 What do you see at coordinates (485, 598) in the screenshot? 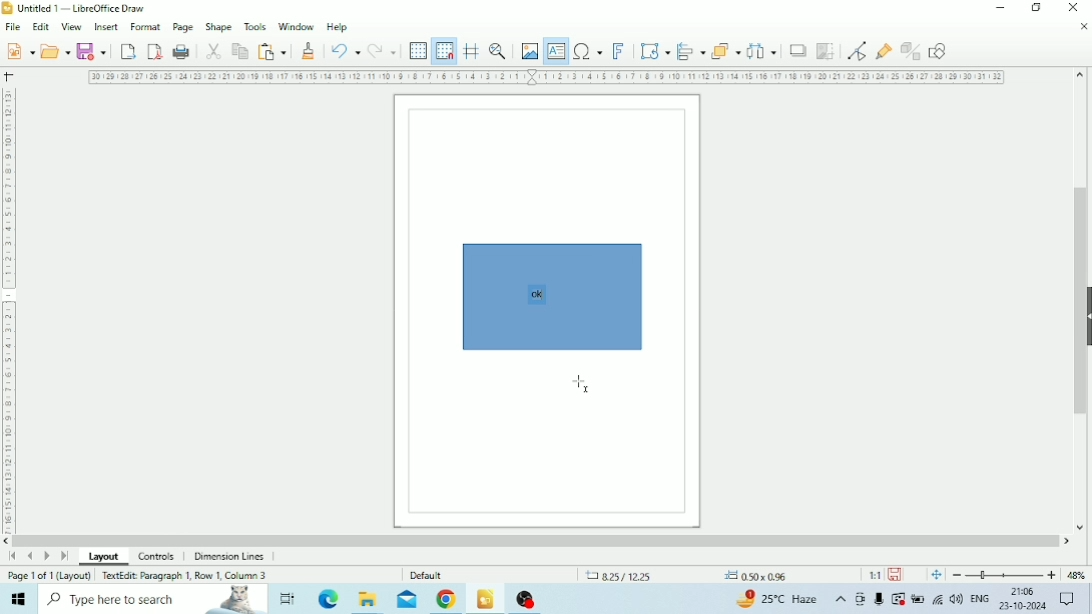
I see `LibreOffice Draw` at bounding box center [485, 598].